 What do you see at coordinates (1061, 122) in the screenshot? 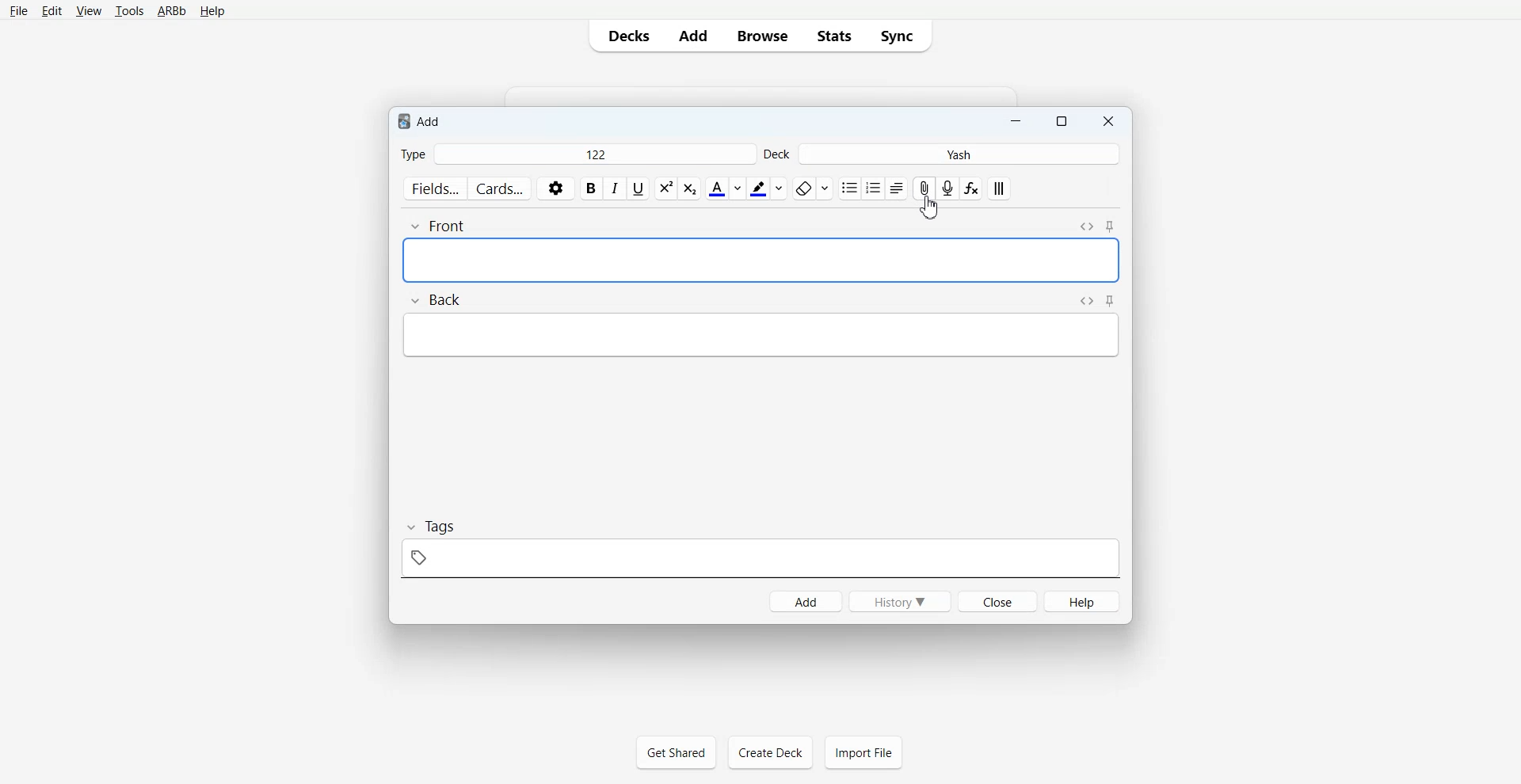
I see `Maximize` at bounding box center [1061, 122].